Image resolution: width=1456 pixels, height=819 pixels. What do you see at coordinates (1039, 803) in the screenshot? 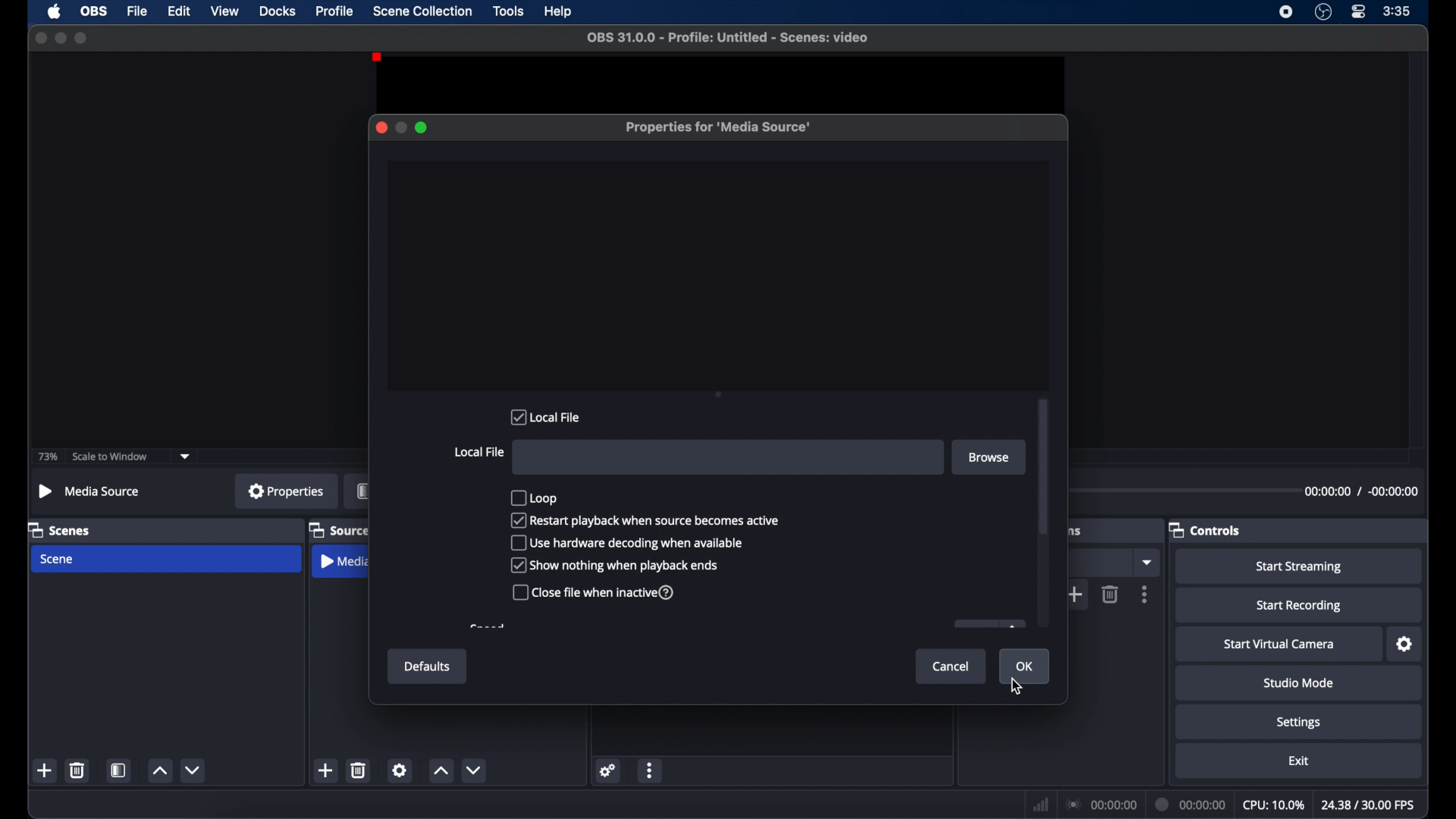
I see `network` at bounding box center [1039, 803].